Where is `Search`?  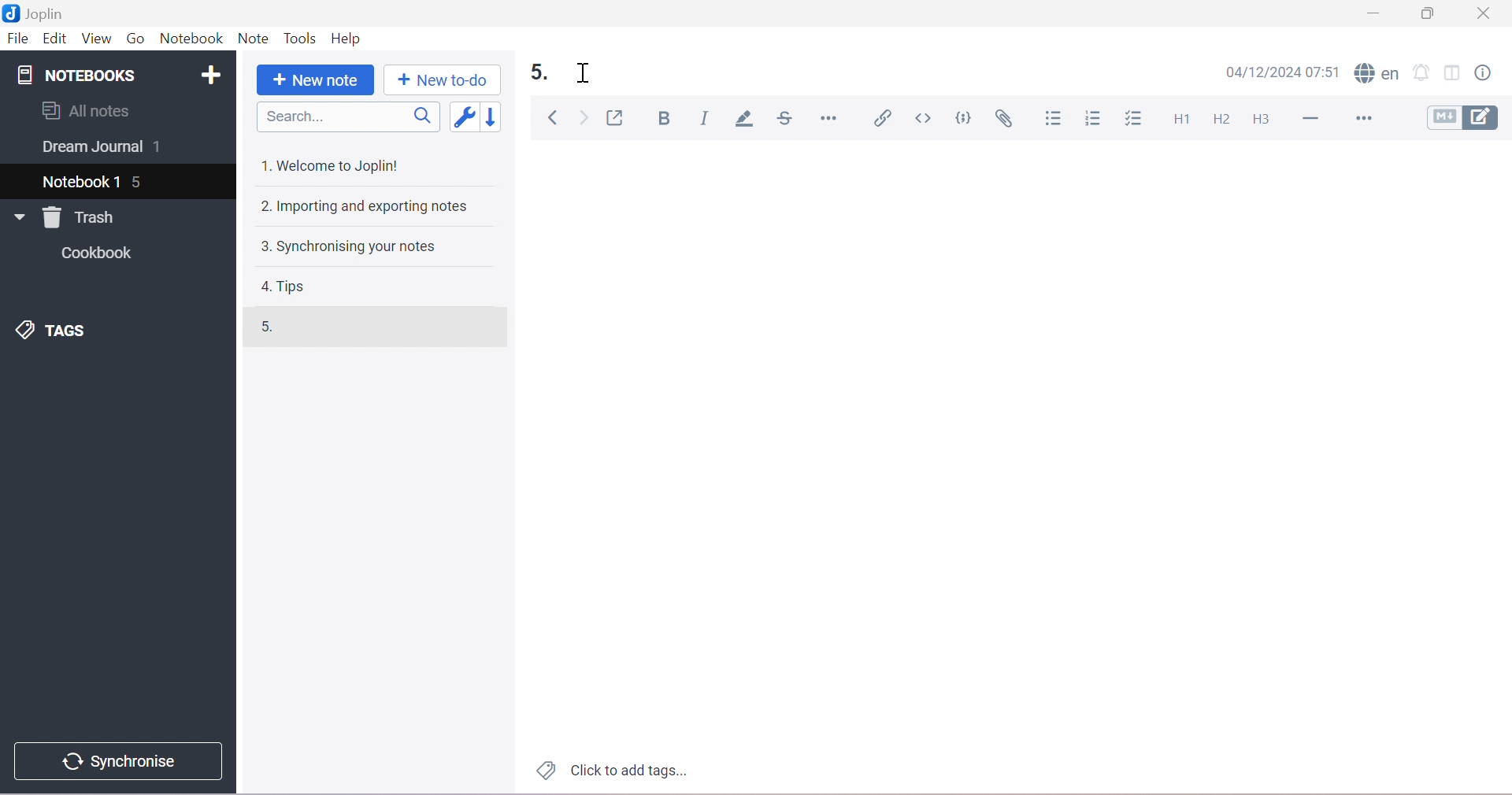
Search is located at coordinates (353, 117).